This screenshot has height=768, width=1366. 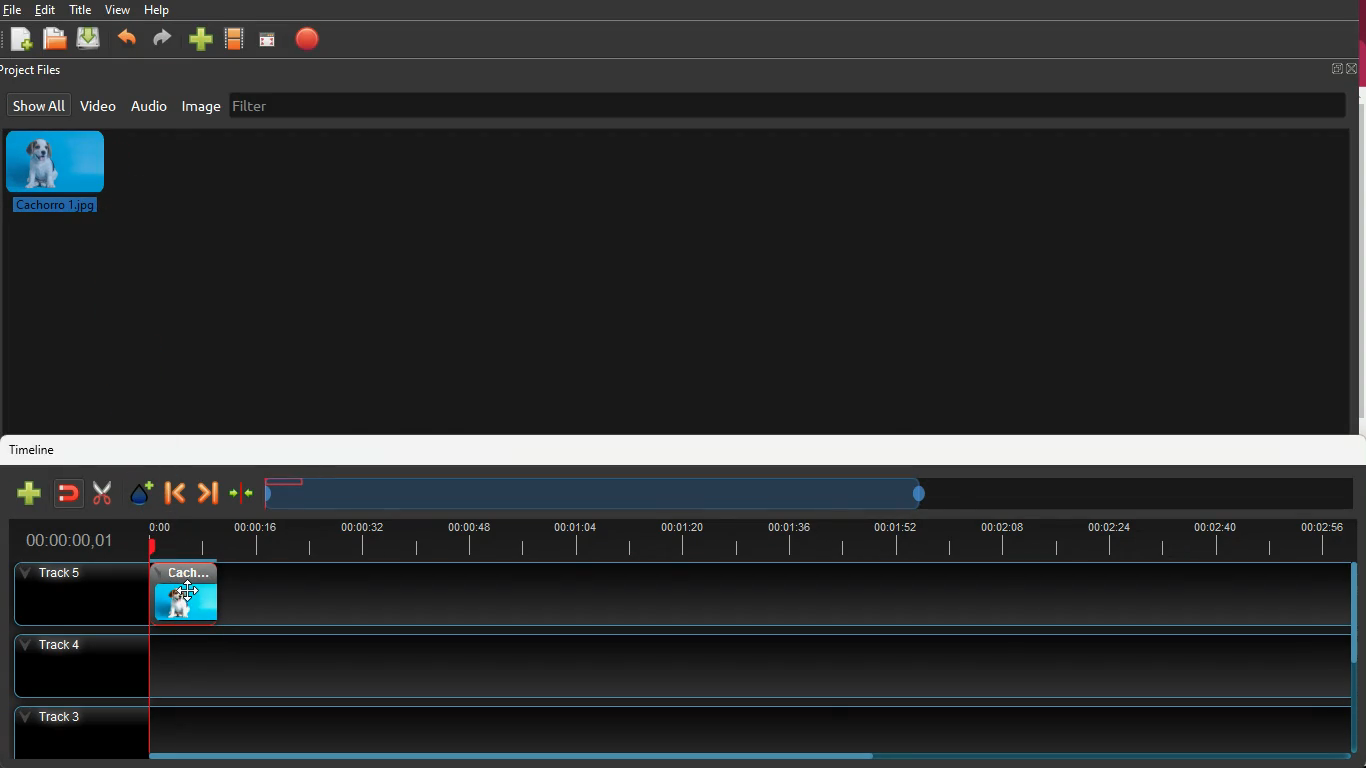 I want to click on project files, so click(x=34, y=71).